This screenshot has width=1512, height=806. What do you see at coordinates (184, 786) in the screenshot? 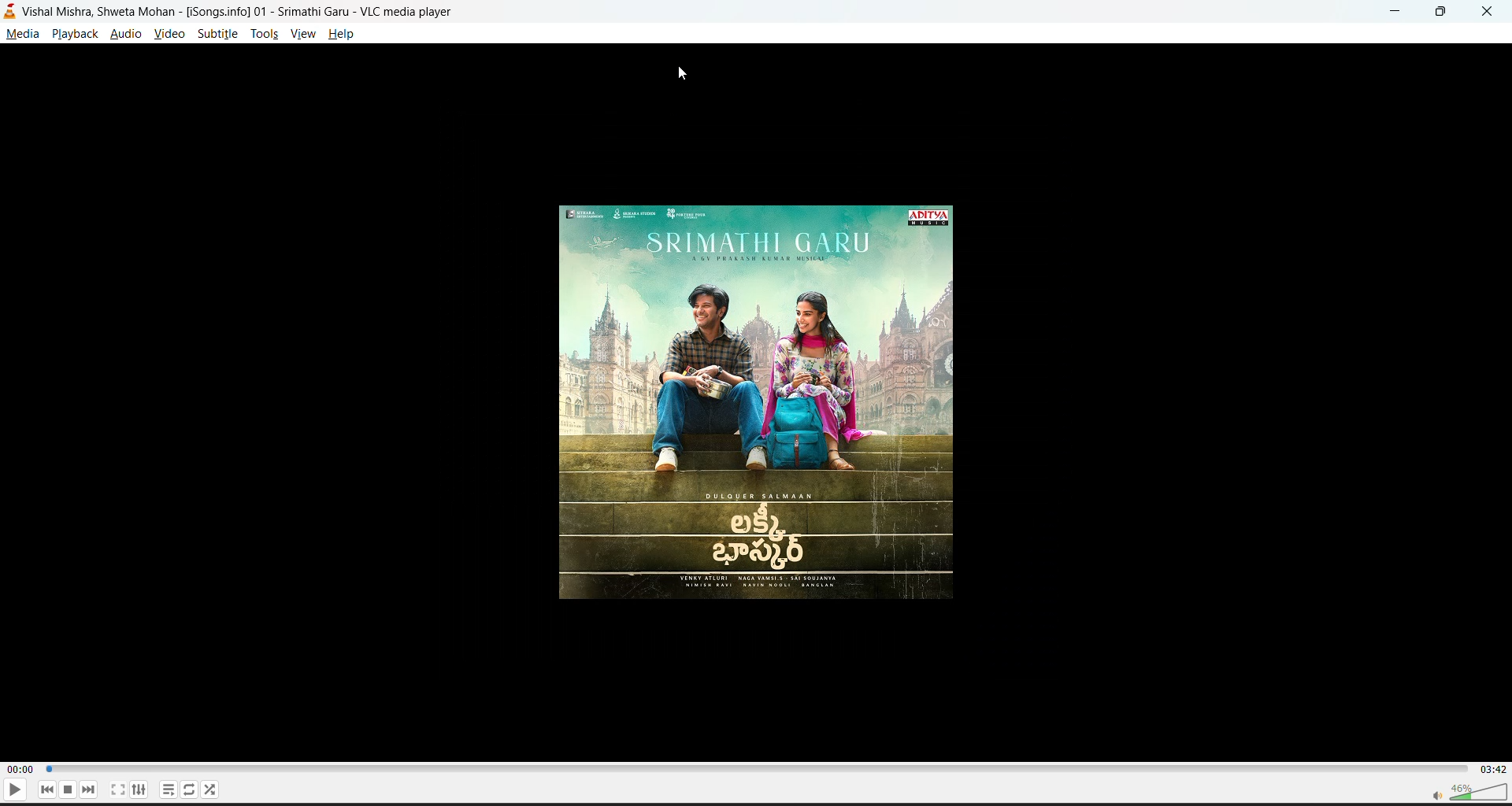
I see `loop` at bounding box center [184, 786].